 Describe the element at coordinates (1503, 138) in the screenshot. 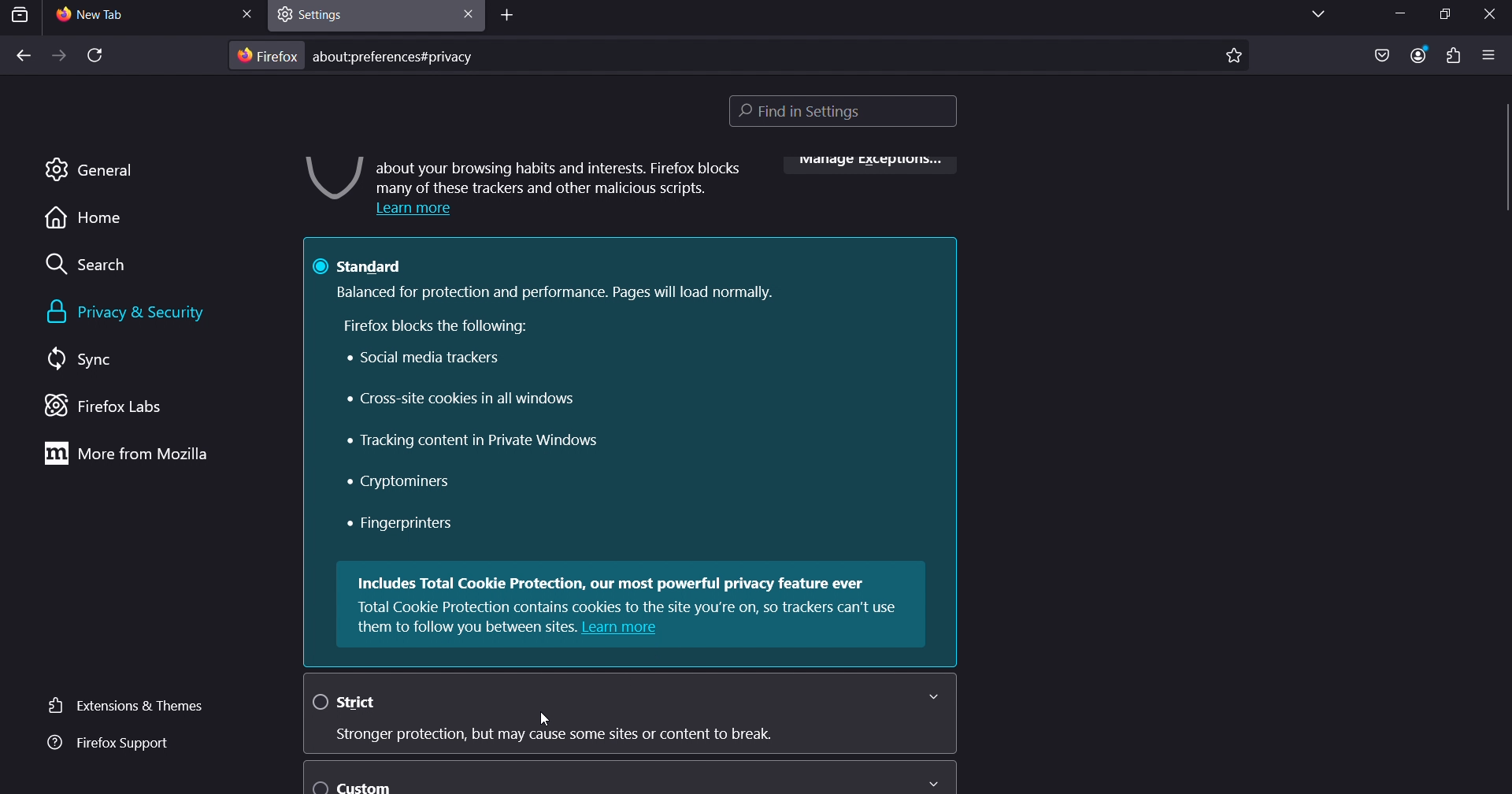

I see `scrollbar` at that location.